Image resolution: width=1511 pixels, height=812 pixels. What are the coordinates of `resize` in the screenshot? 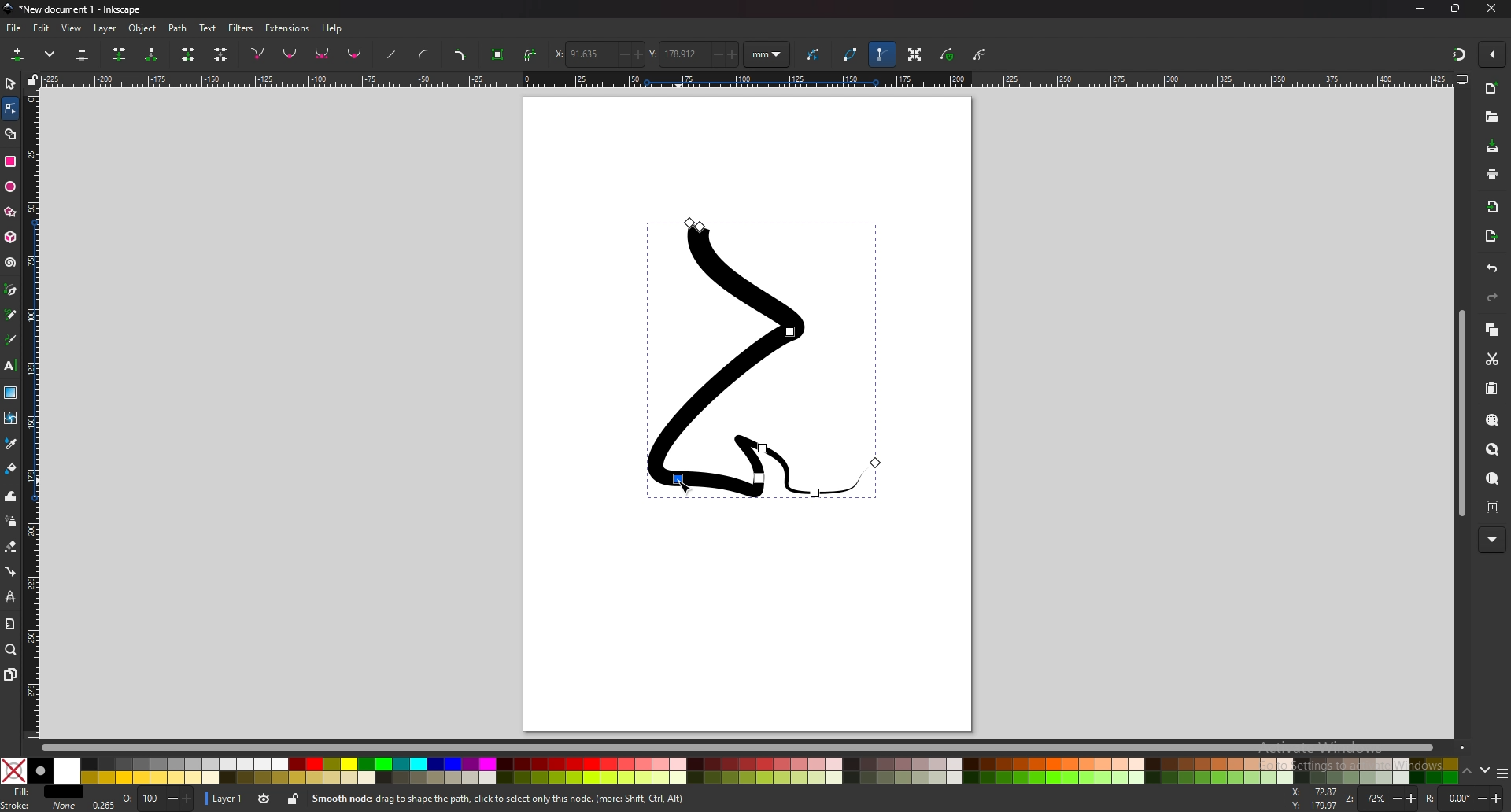 It's located at (1457, 9).